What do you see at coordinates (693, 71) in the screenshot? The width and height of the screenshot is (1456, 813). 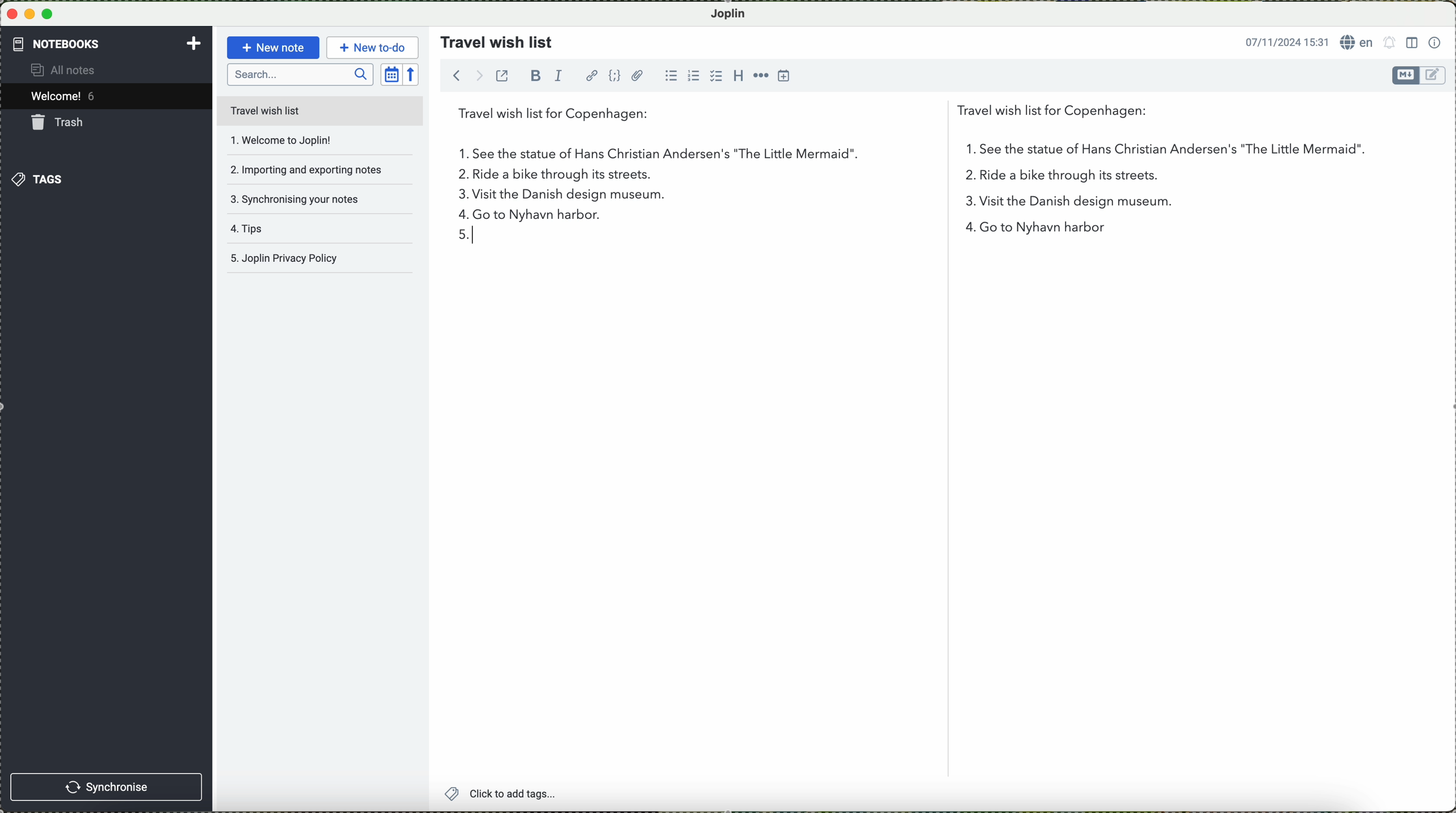 I see `numbered list` at bounding box center [693, 71].